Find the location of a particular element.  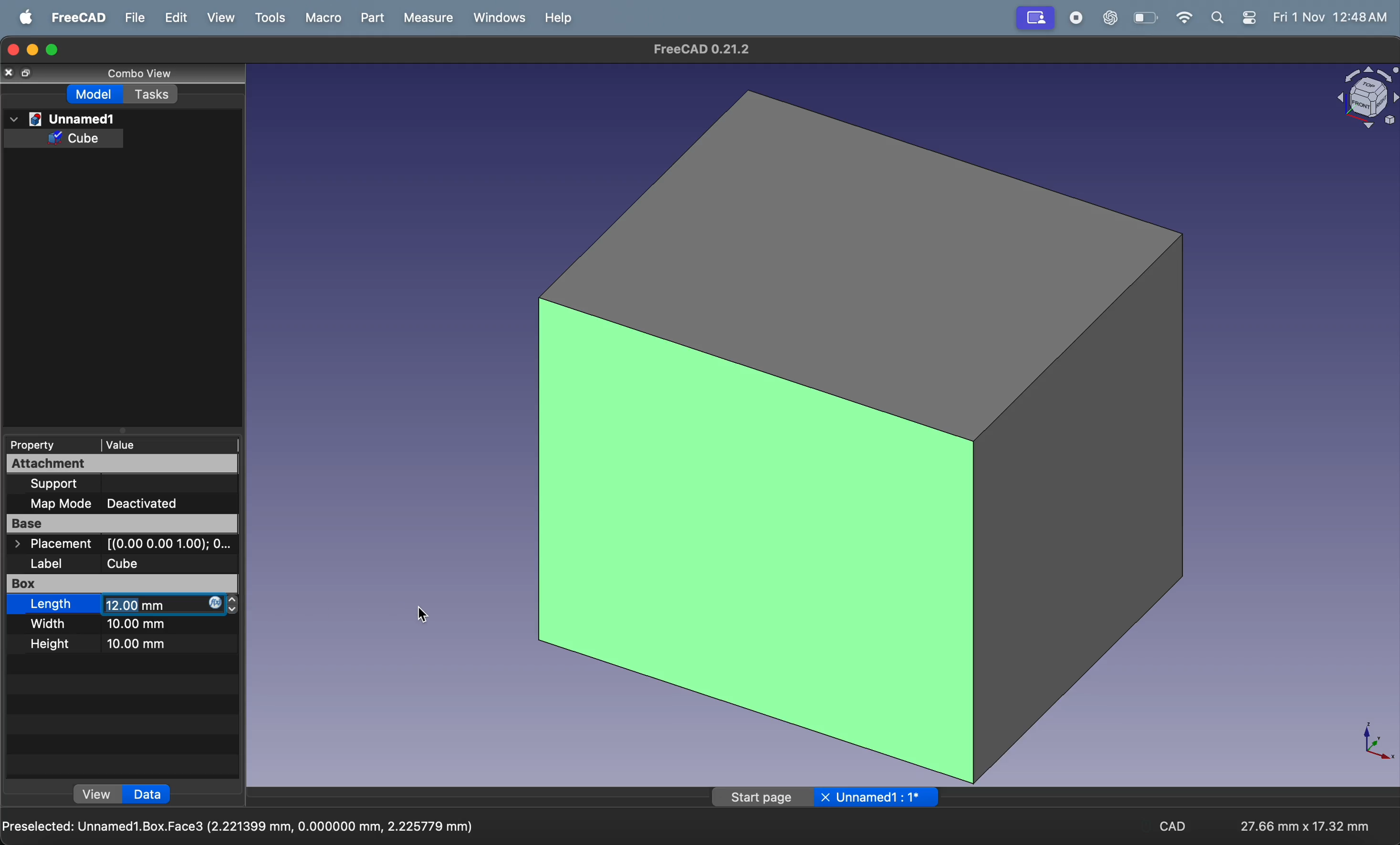

combo view is located at coordinates (143, 74).